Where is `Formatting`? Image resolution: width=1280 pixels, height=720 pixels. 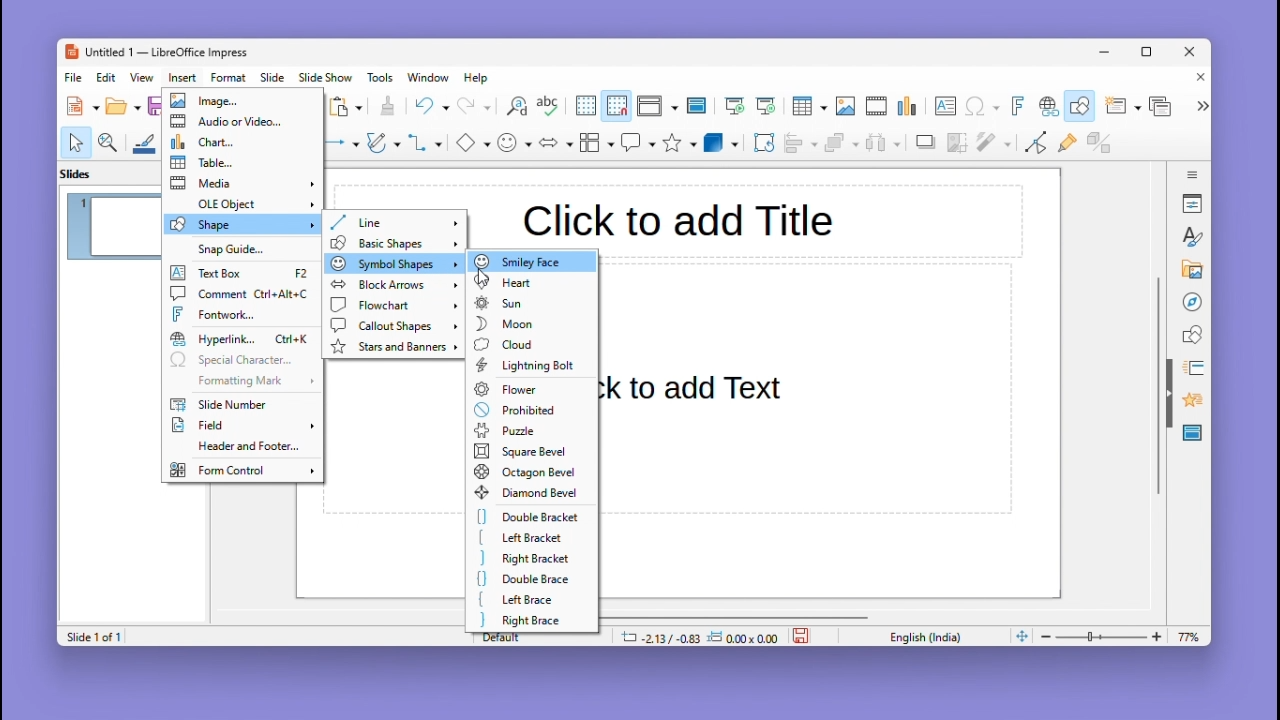 Formatting is located at coordinates (239, 380).